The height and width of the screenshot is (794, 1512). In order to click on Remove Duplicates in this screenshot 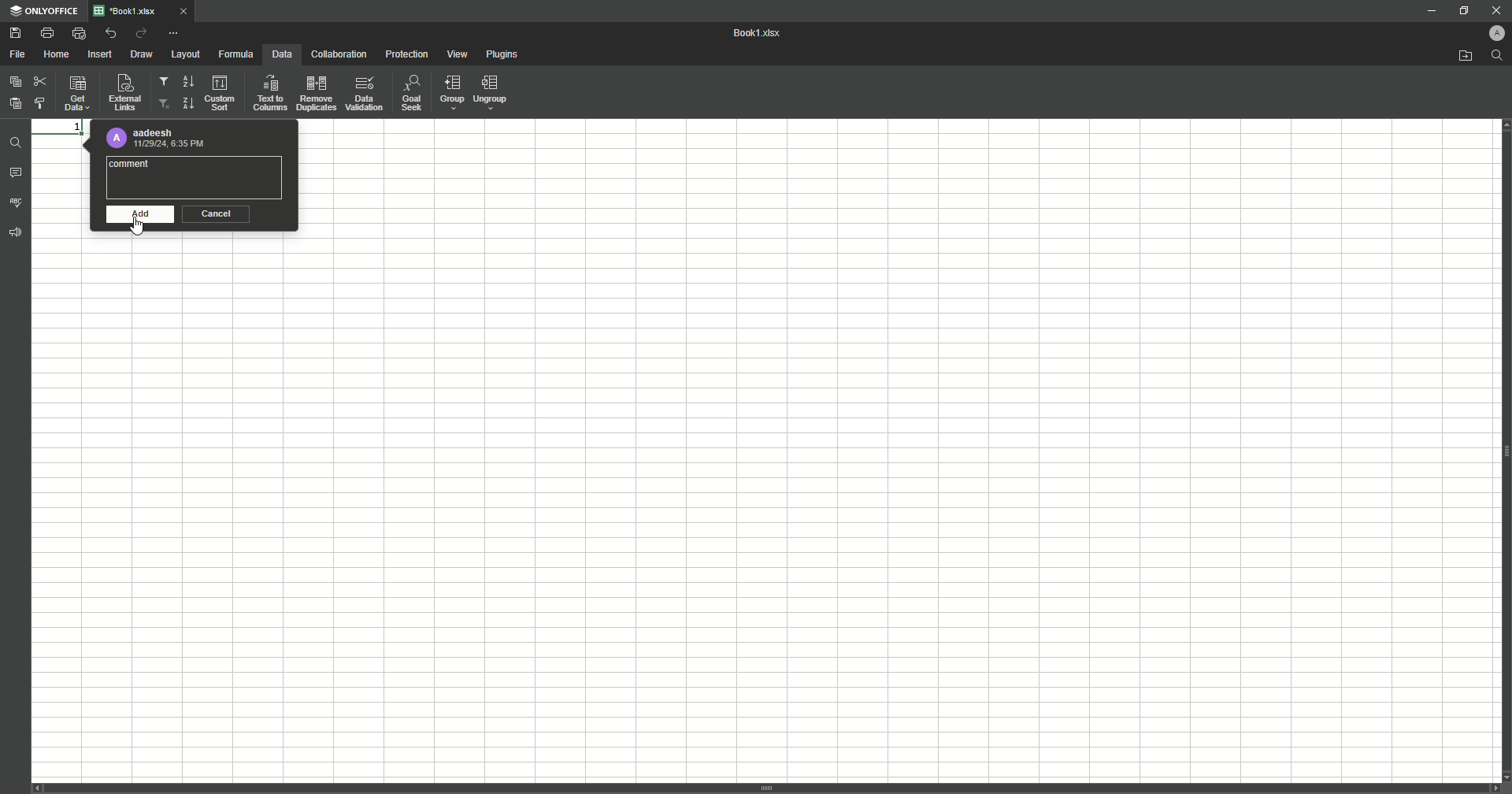, I will do `click(316, 93)`.